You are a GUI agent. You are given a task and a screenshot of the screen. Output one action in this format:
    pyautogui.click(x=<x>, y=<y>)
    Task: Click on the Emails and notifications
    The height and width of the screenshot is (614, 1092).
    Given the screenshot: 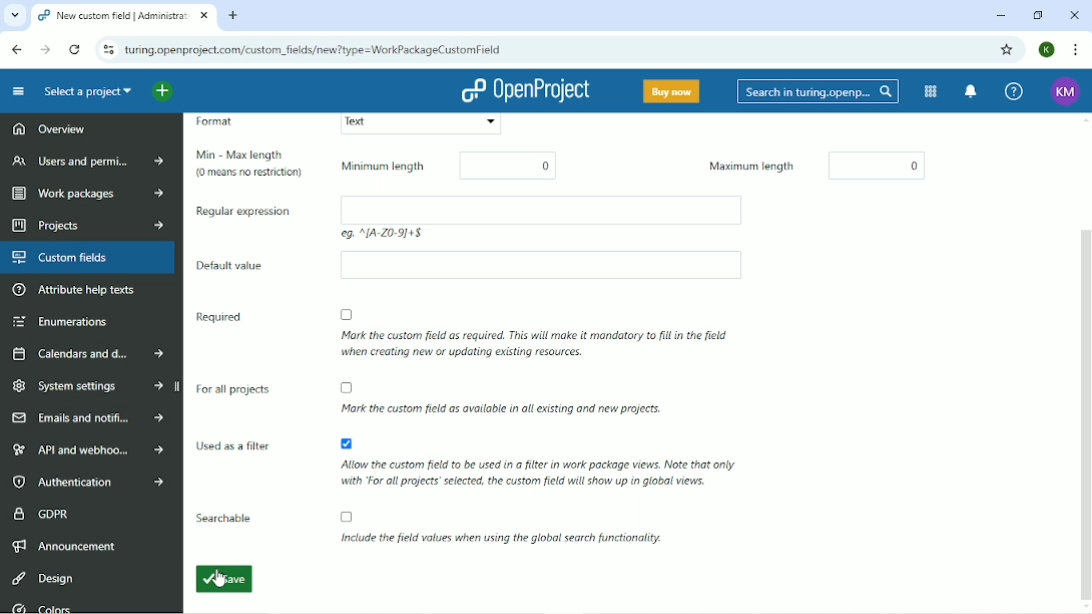 What is the action you would take?
    pyautogui.click(x=87, y=418)
    